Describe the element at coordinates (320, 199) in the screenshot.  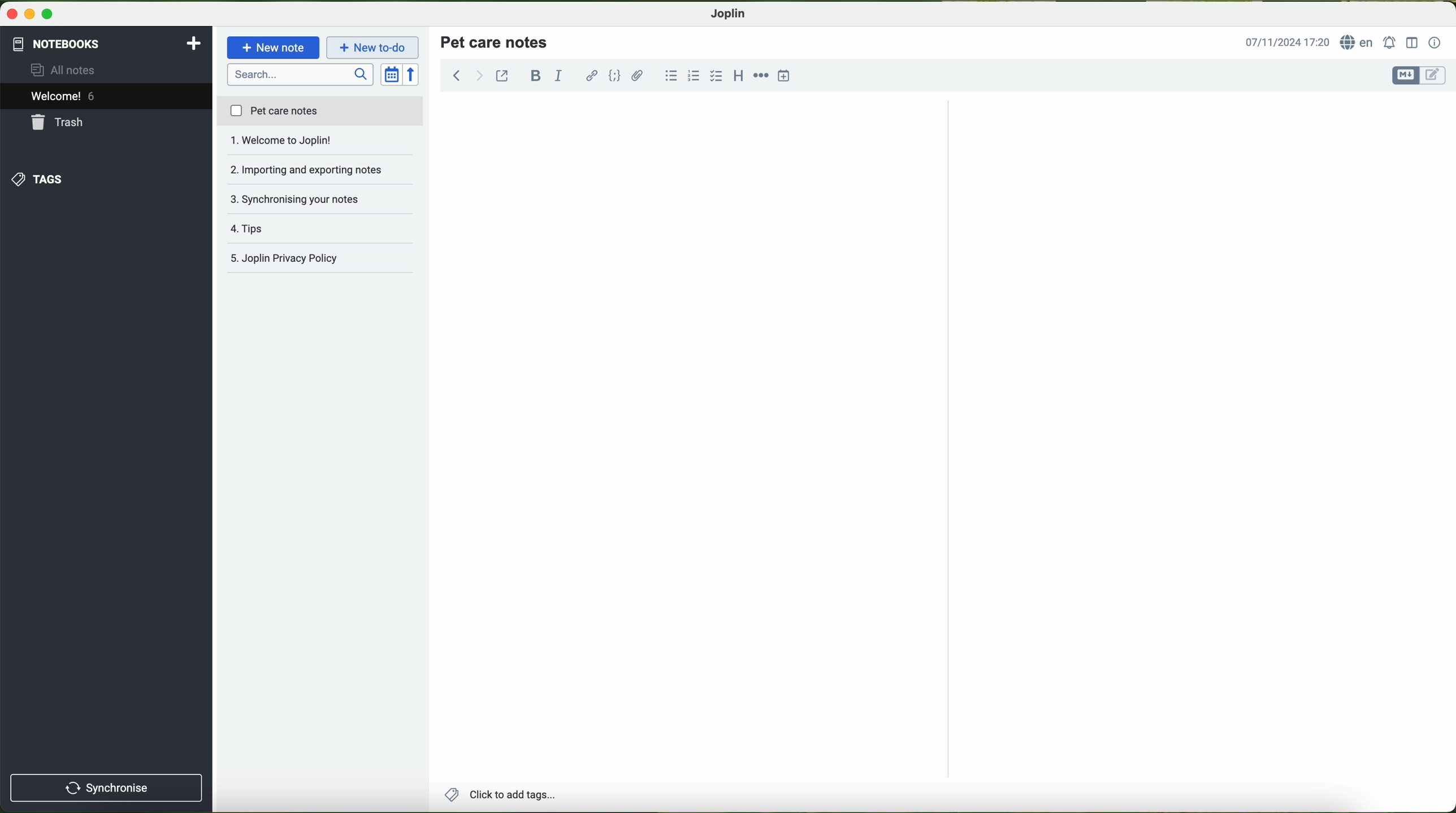
I see `tips` at that location.